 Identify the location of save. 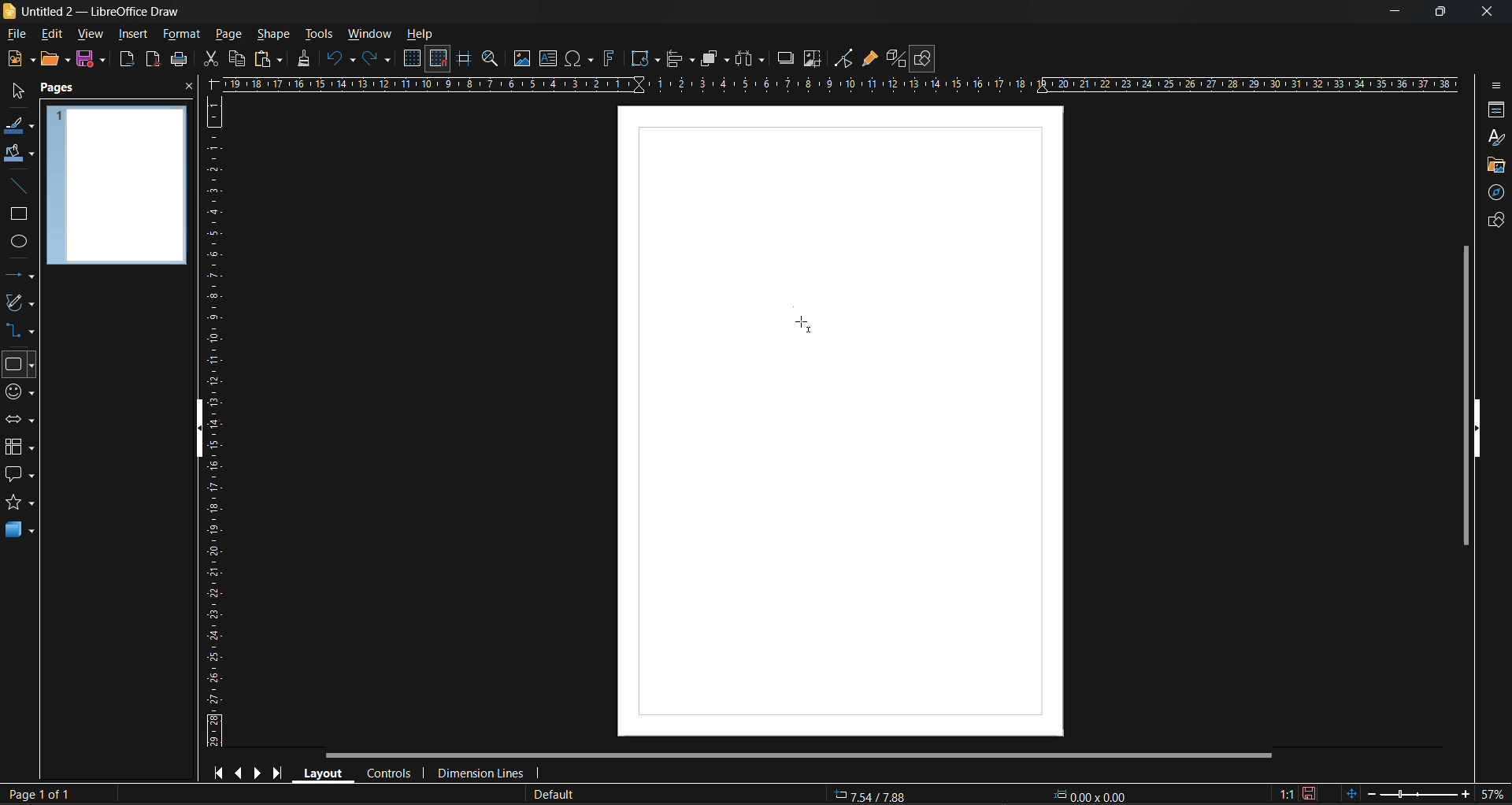
(180, 59).